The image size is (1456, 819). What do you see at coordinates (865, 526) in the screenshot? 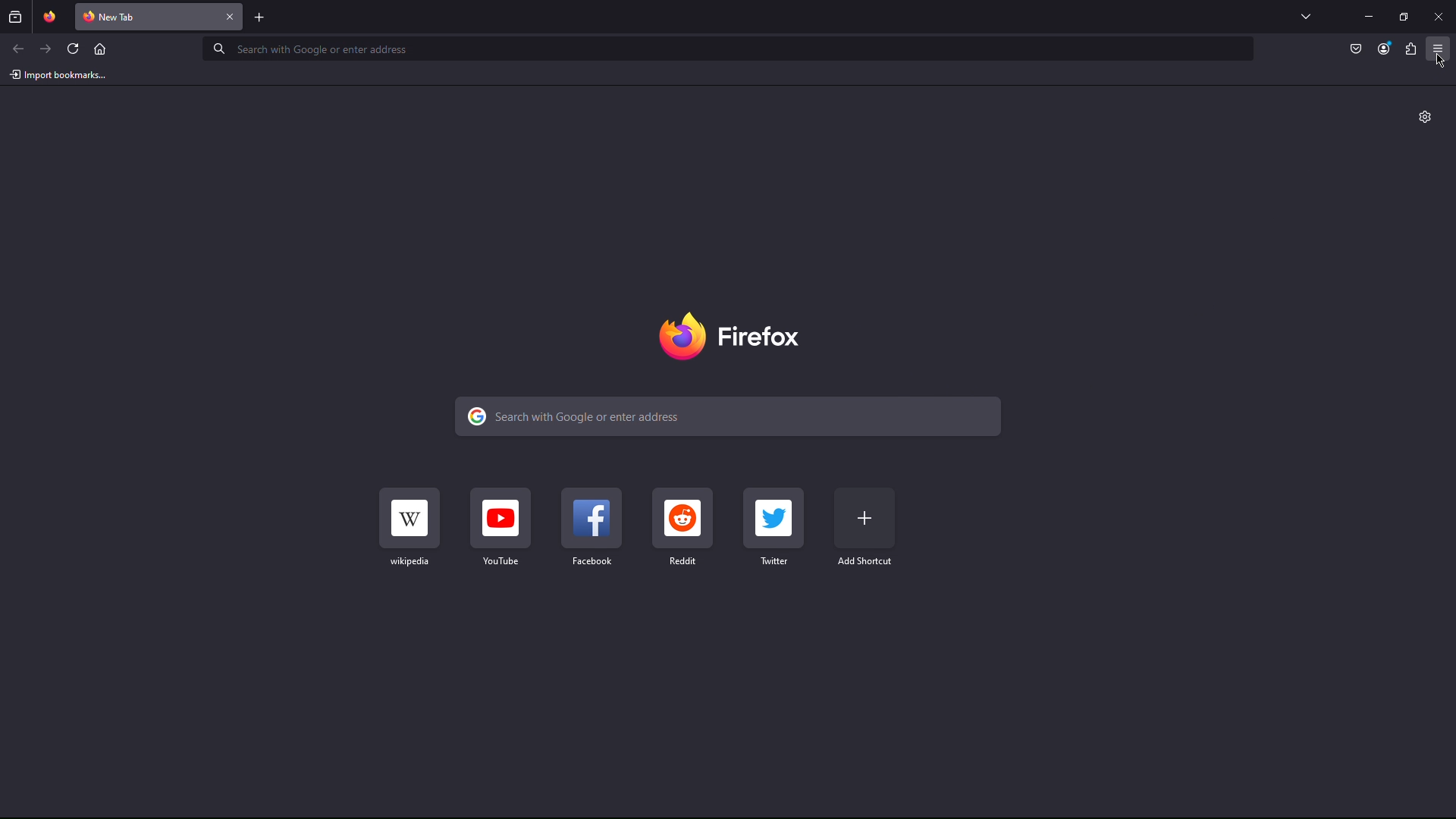
I see `Add Shortcut` at bounding box center [865, 526].